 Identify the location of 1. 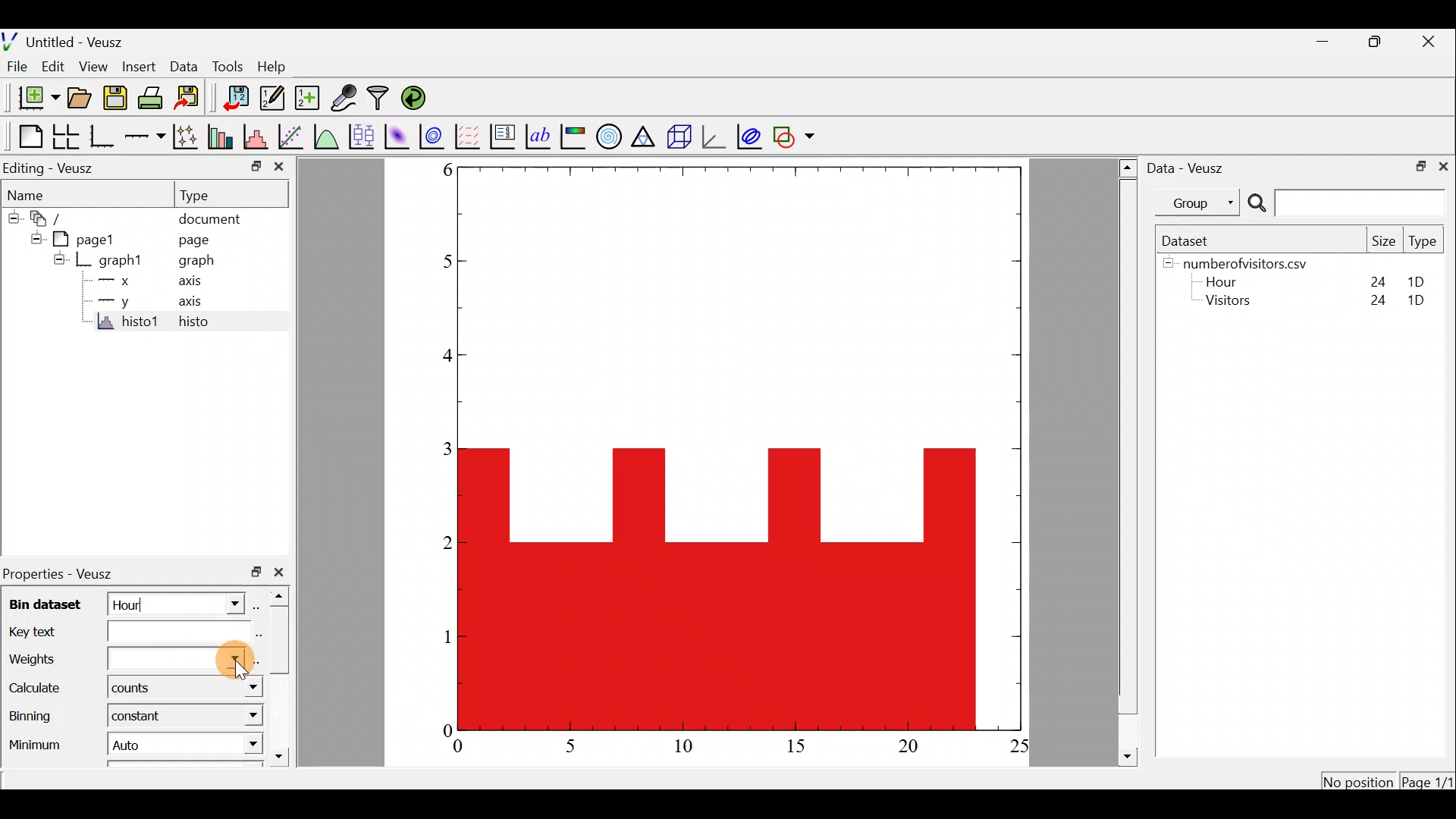
(435, 636).